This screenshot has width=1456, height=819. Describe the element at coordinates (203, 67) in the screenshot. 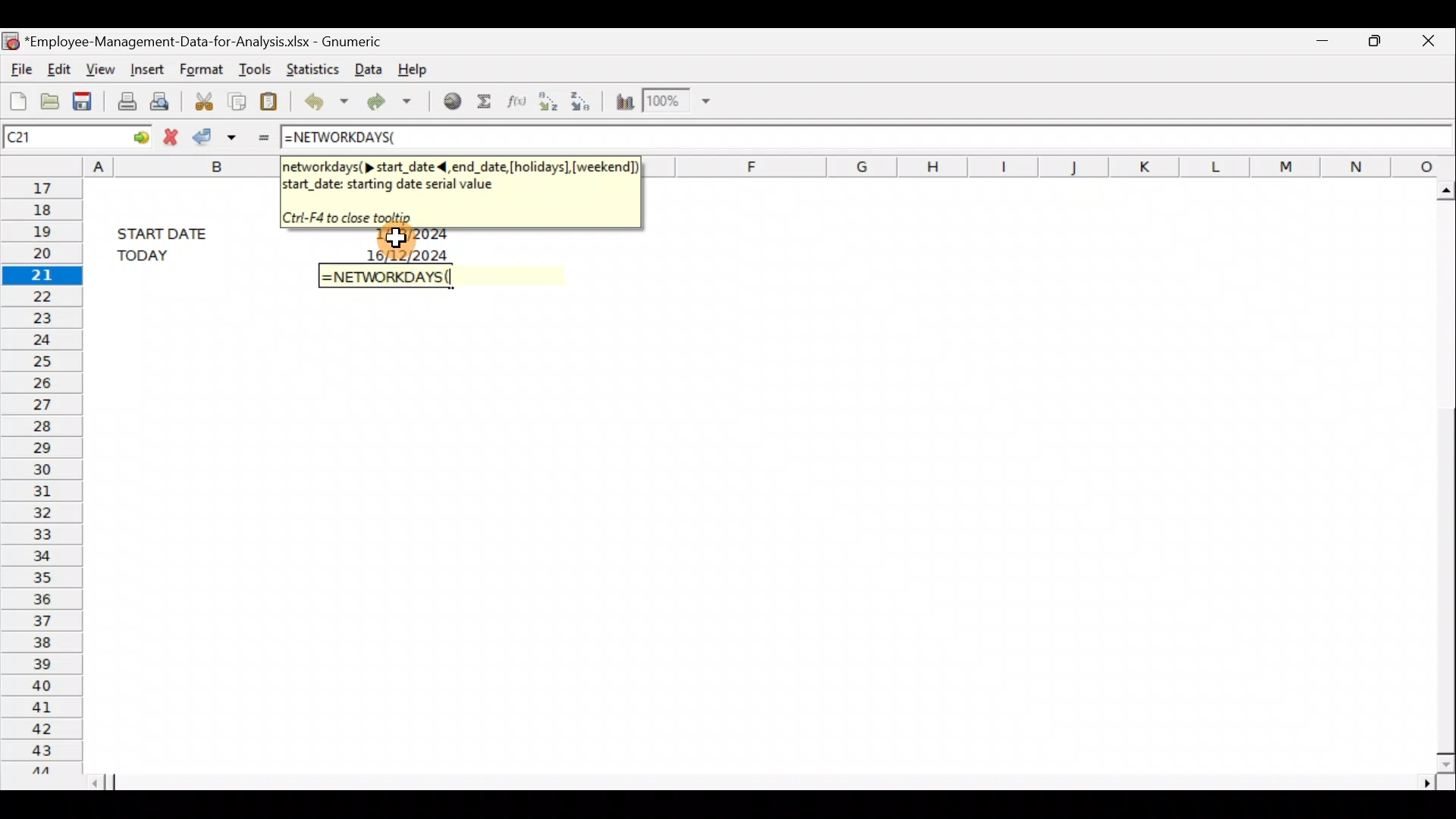

I see `Format` at that location.